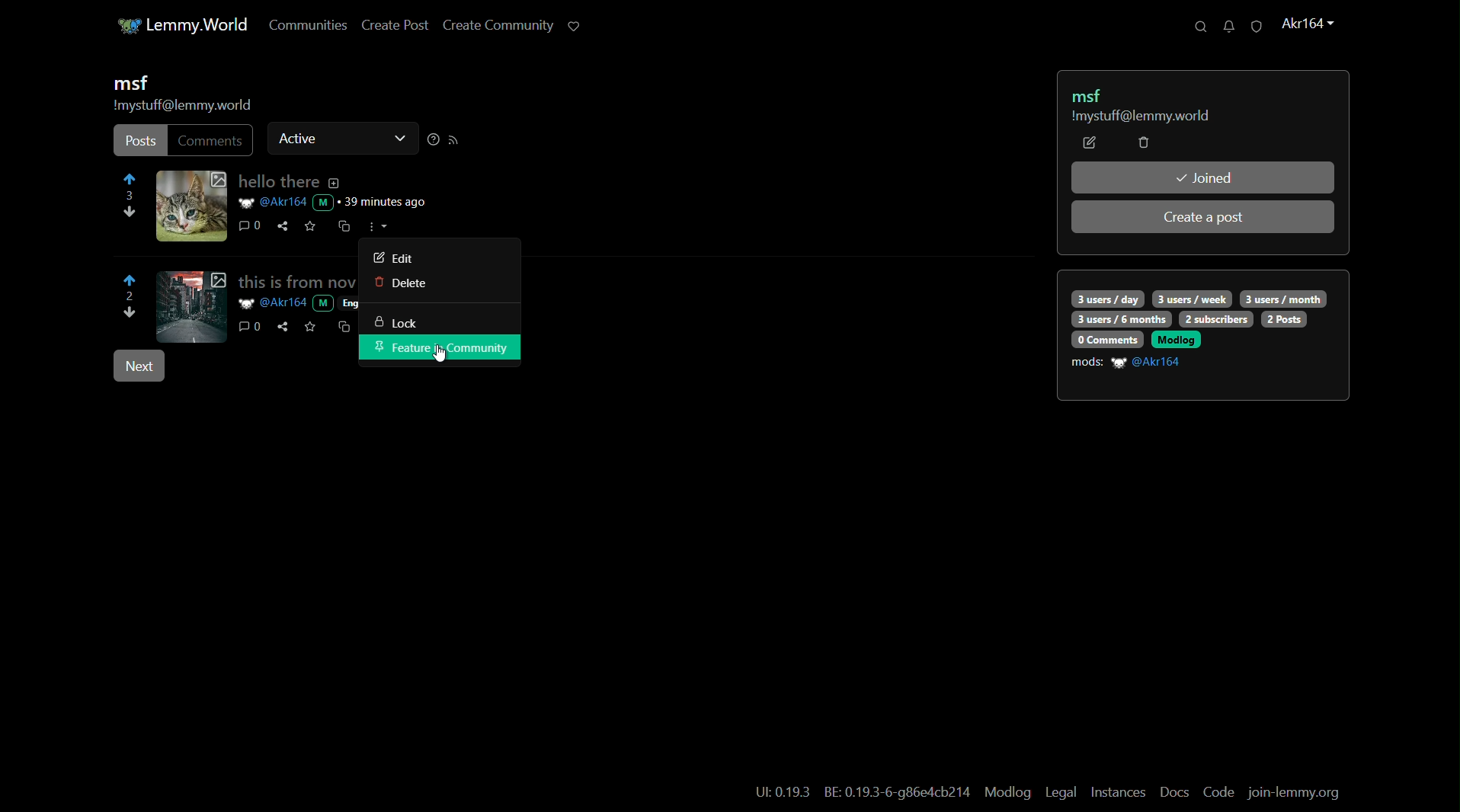  What do you see at coordinates (1285, 319) in the screenshot?
I see `2 posts` at bounding box center [1285, 319].